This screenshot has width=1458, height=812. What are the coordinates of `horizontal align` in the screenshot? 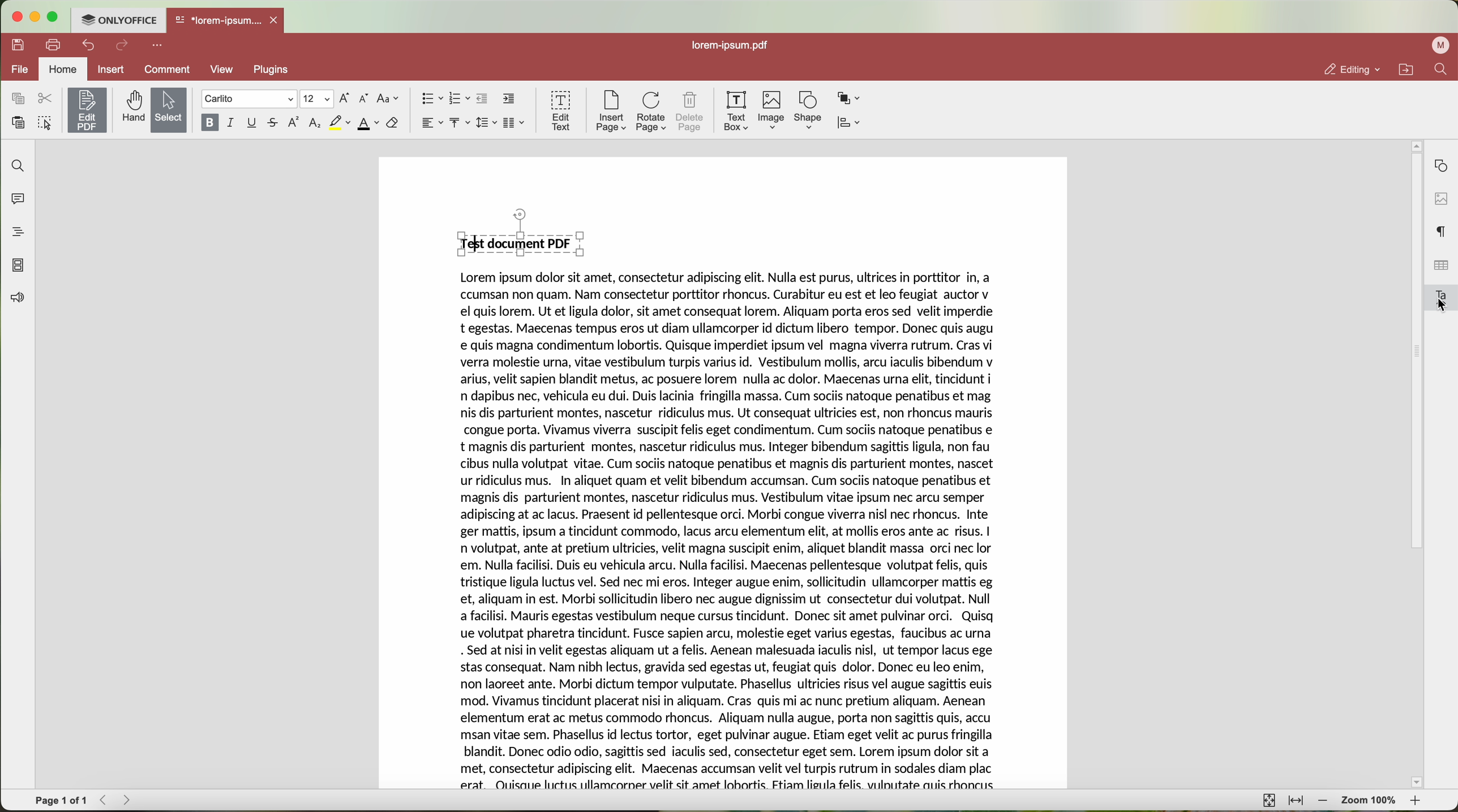 It's located at (431, 123).